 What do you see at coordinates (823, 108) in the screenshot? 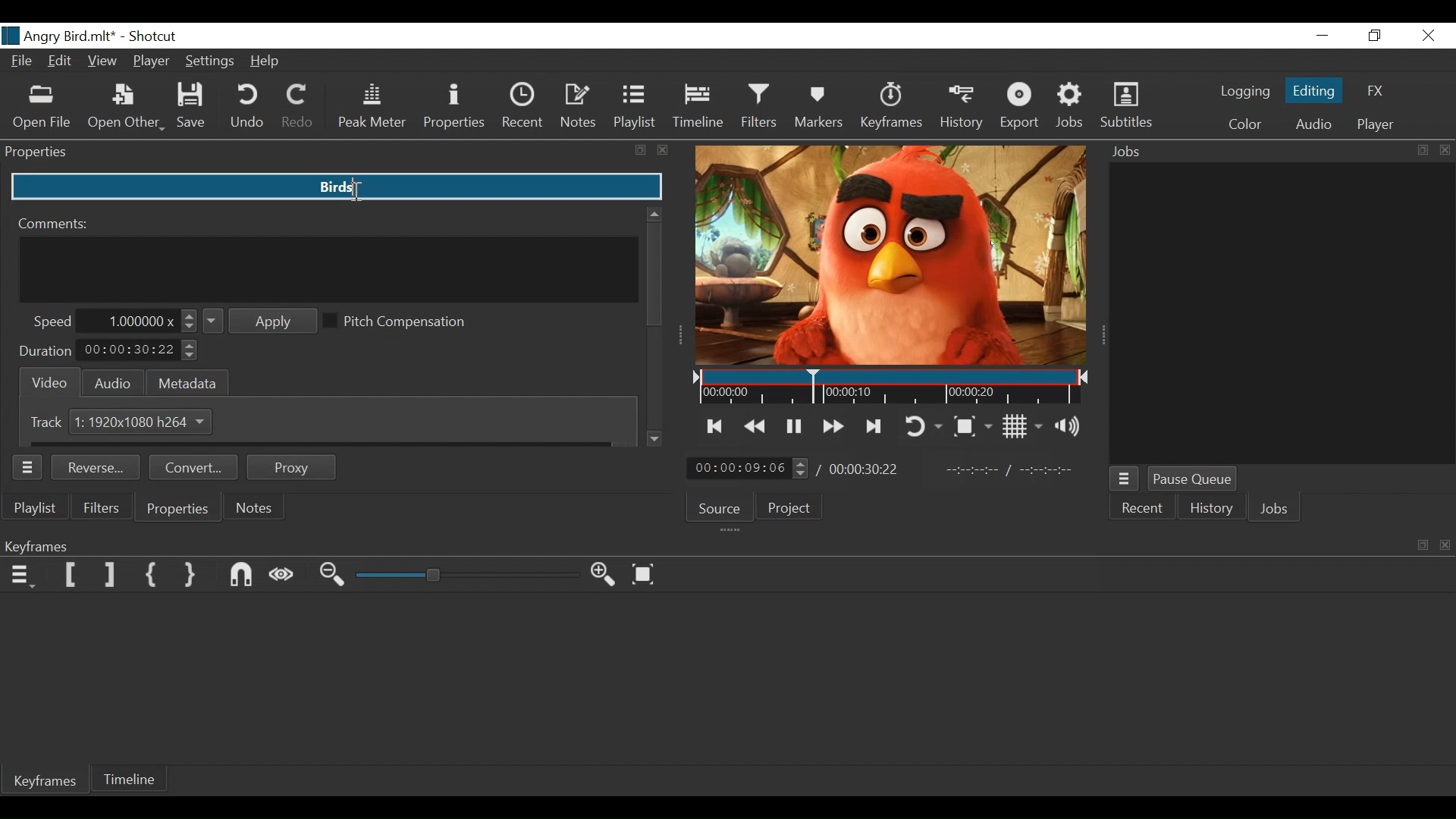
I see `Markers` at bounding box center [823, 108].